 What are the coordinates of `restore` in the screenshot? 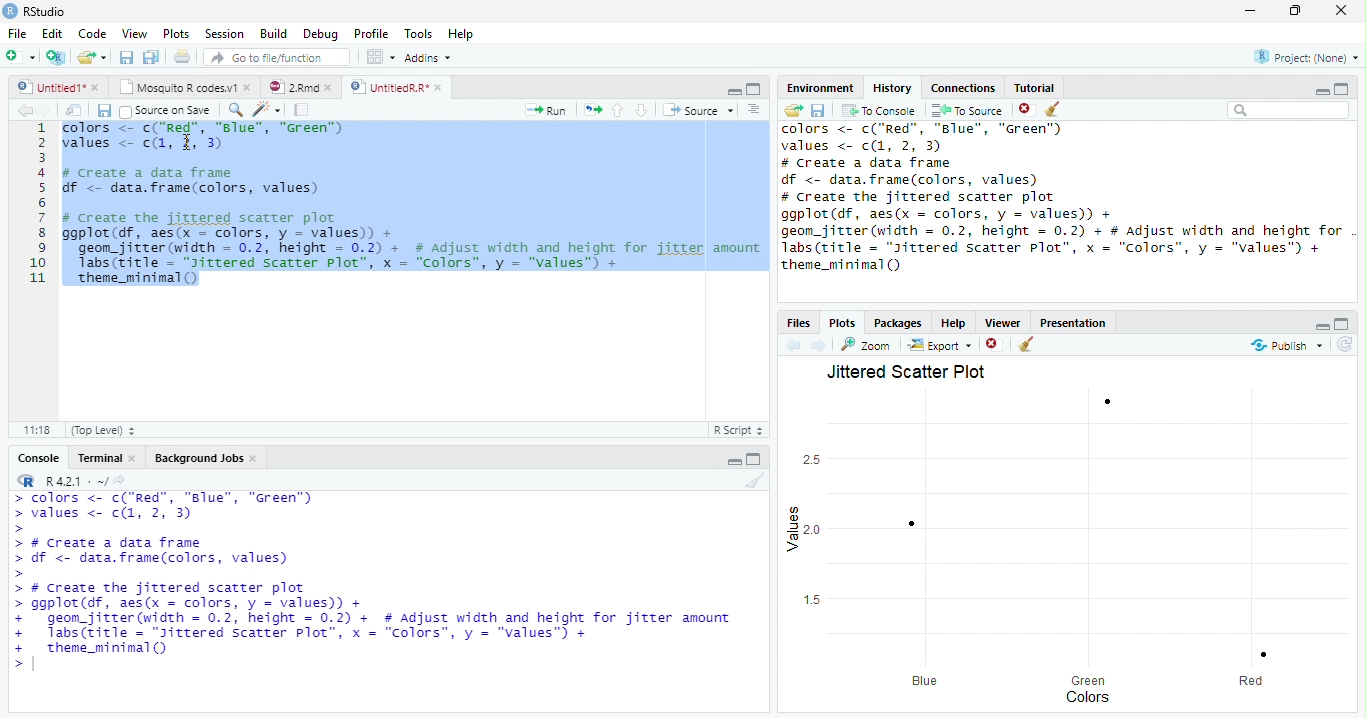 It's located at (1295, 11).